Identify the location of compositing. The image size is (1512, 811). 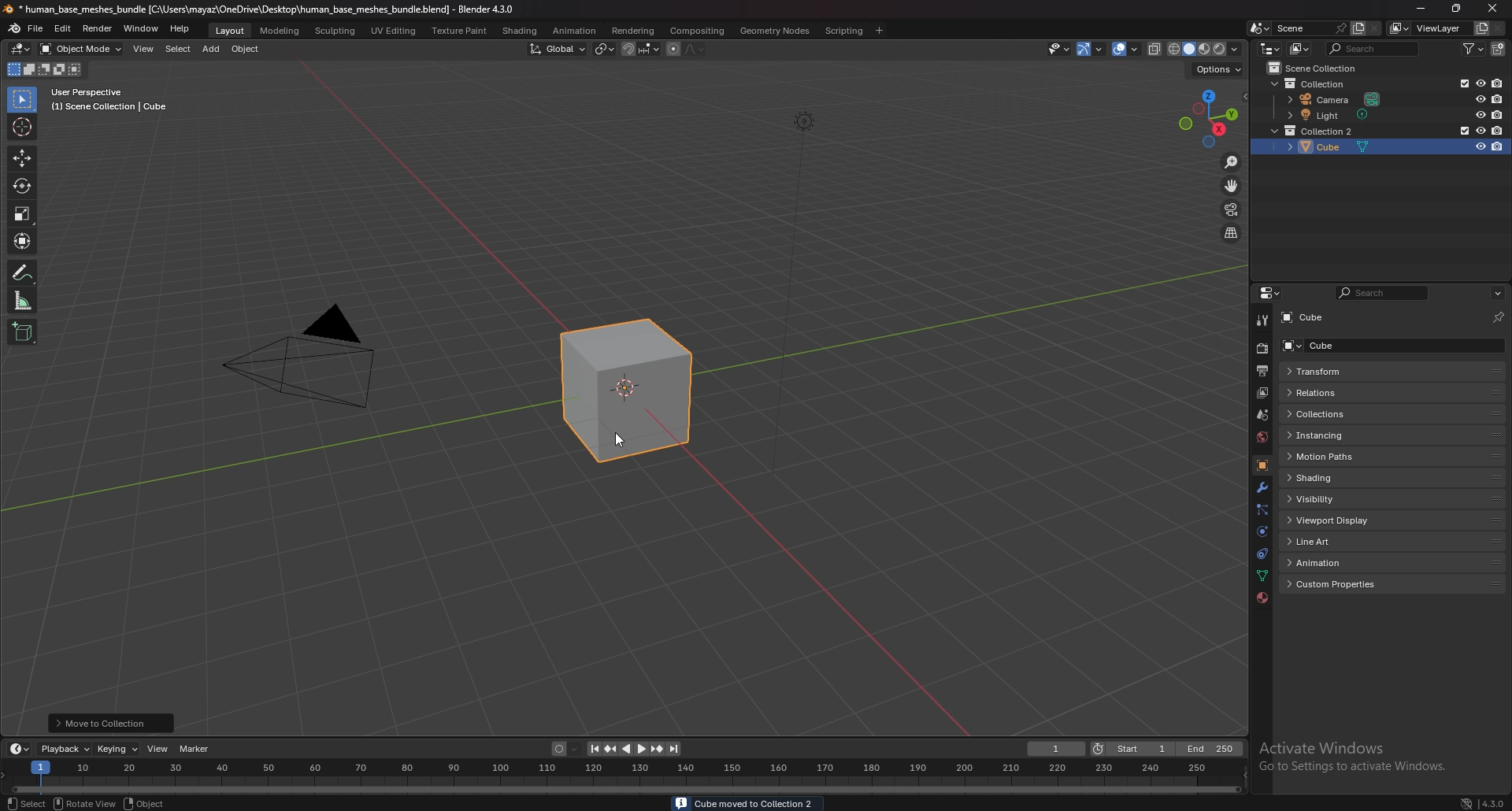
(697, 31).